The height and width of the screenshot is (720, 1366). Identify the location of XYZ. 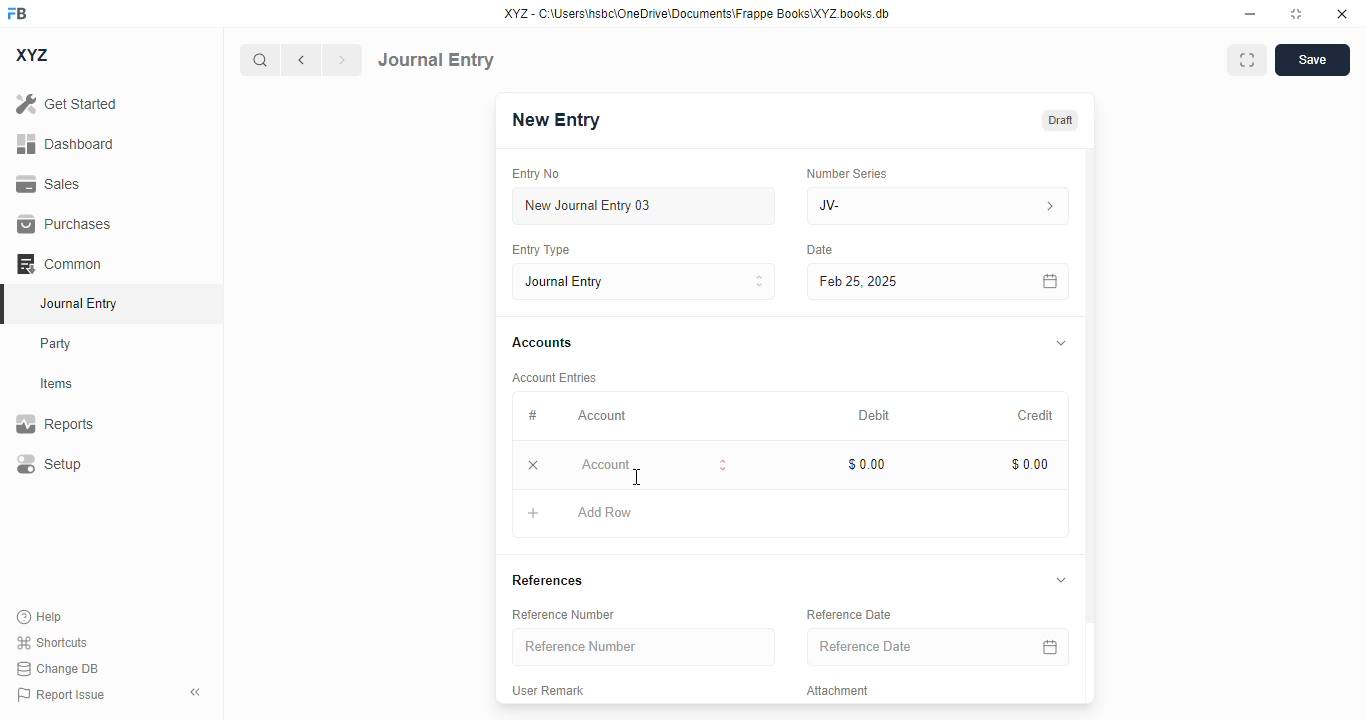
(33, 55).